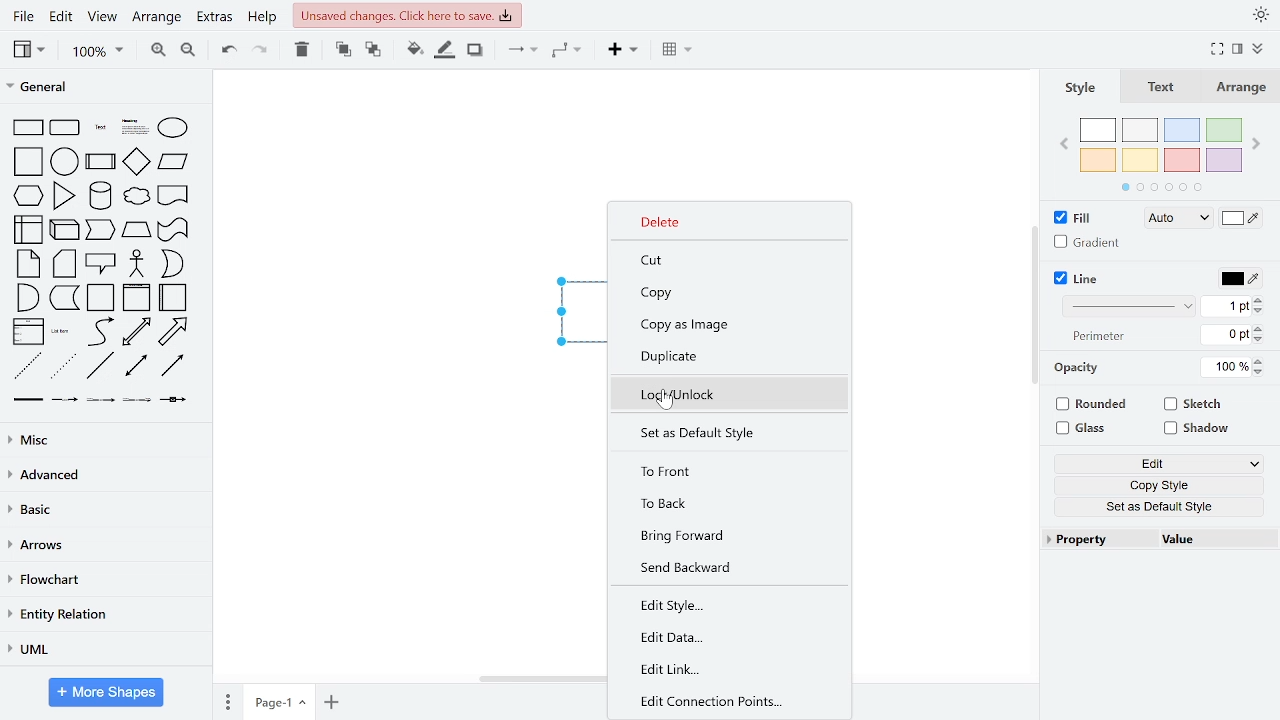  What do you see at coordinates (723, 357) in the screenshot?
I see `duplicate` at bounding box center [723, 357].